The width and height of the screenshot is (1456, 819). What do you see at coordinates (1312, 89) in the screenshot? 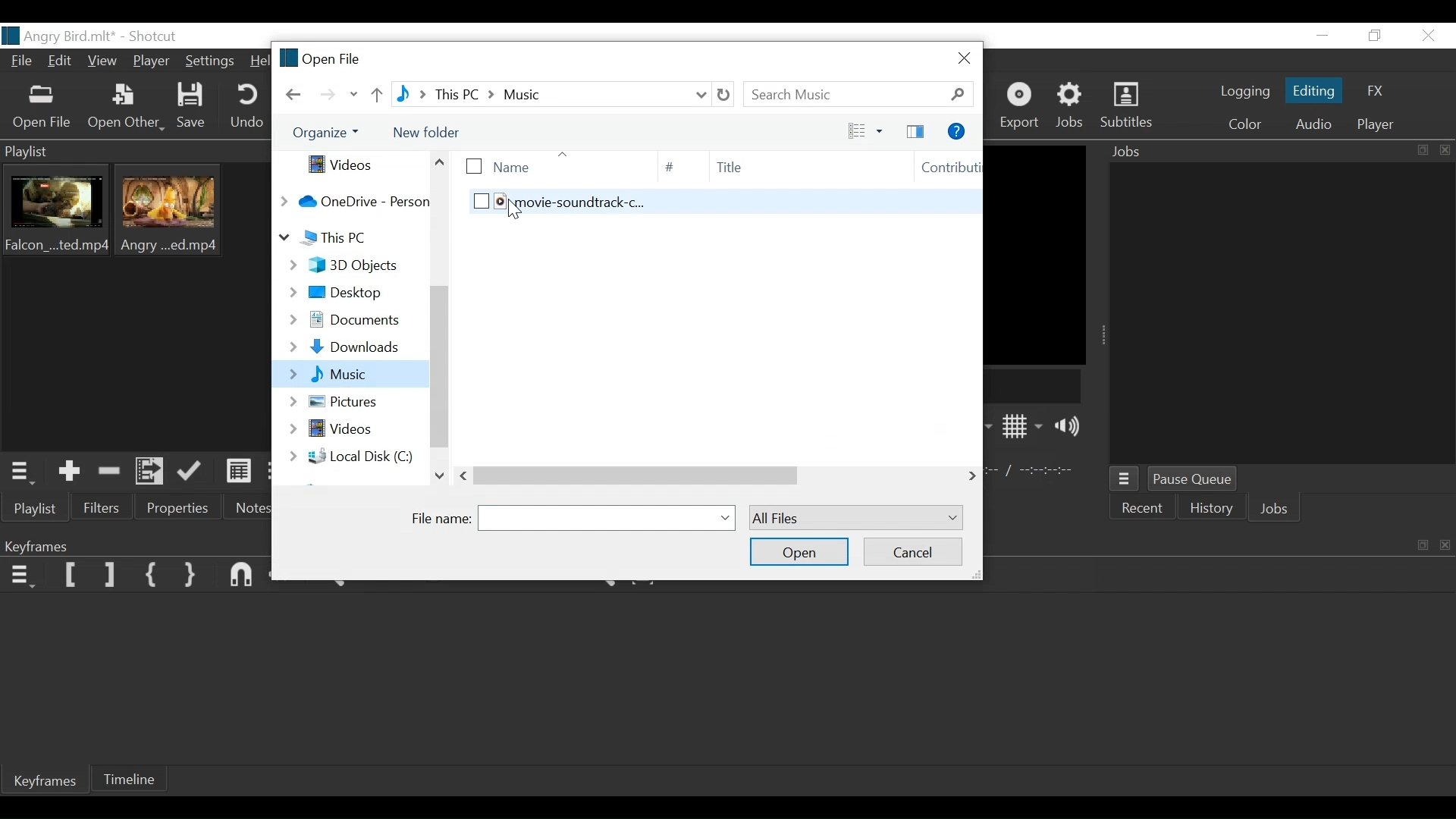
I see `Editing` at bounding box center [1312, 89].